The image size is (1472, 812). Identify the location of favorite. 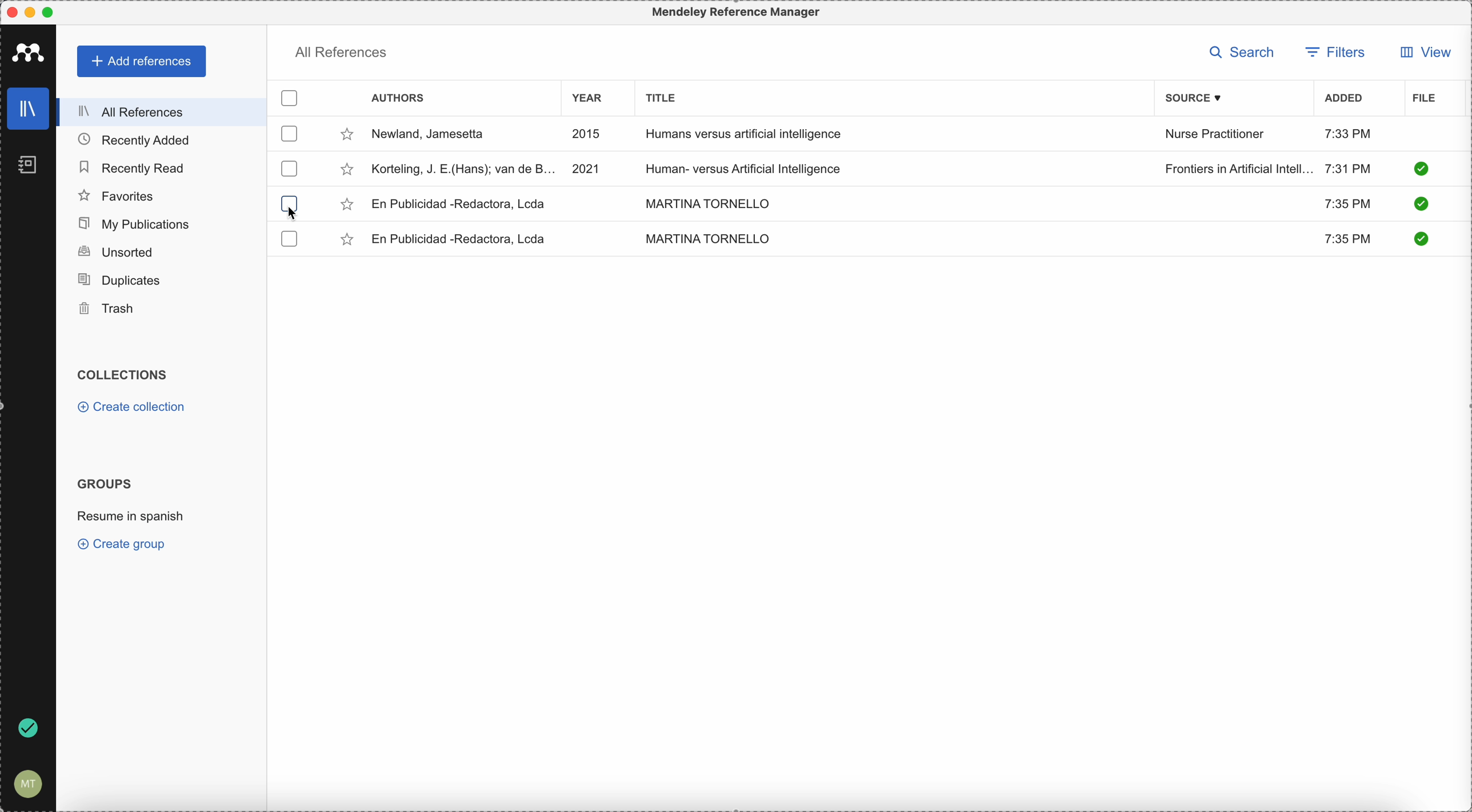
(347, 171).